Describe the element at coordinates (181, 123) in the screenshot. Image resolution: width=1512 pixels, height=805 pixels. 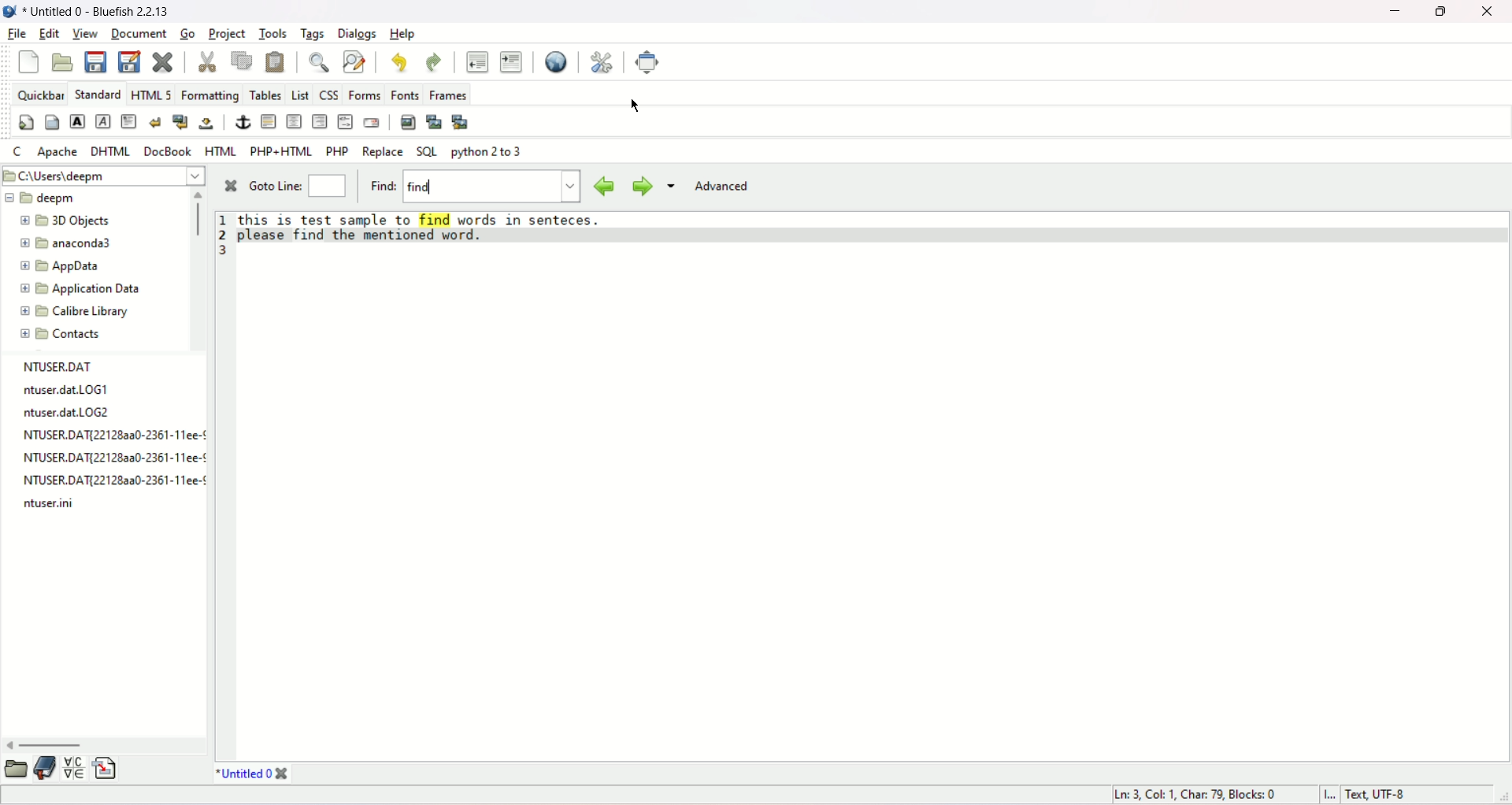
I see `break and clear` at that location.